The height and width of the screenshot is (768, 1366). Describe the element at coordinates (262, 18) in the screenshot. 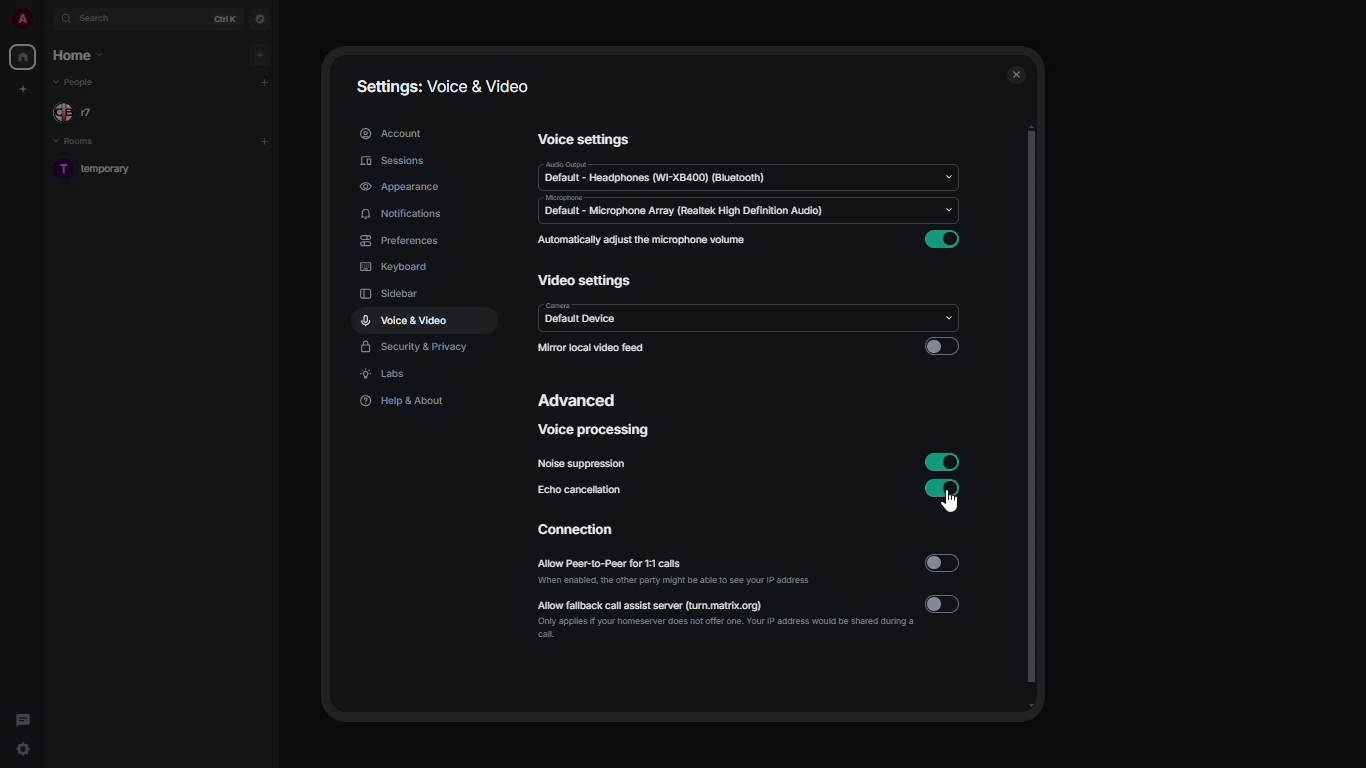

I see `navigator` at that location.